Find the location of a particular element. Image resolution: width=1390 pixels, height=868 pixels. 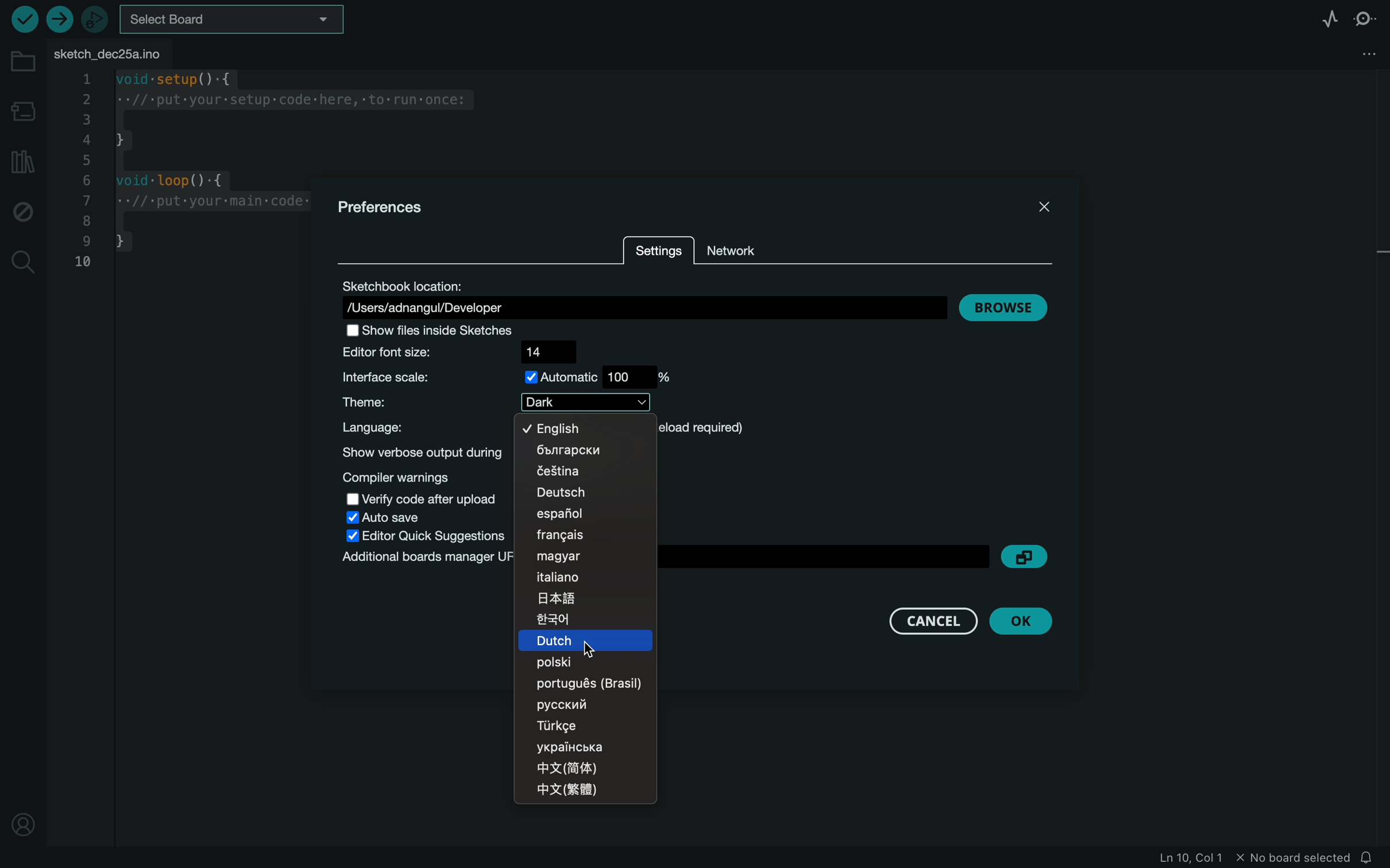

board  manager is located at coordinates (24, 111).